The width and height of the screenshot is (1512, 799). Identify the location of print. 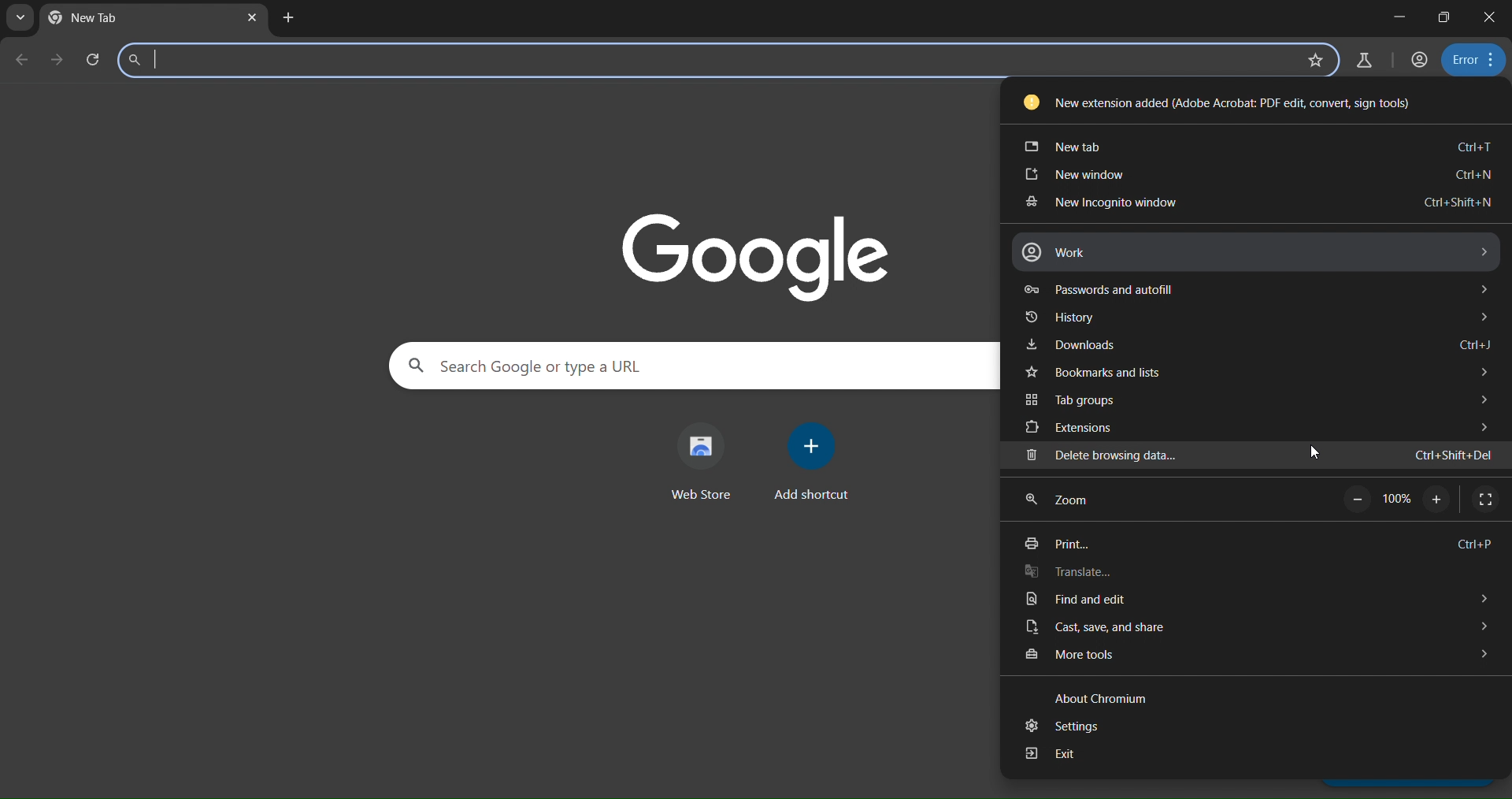
(1260, 544).